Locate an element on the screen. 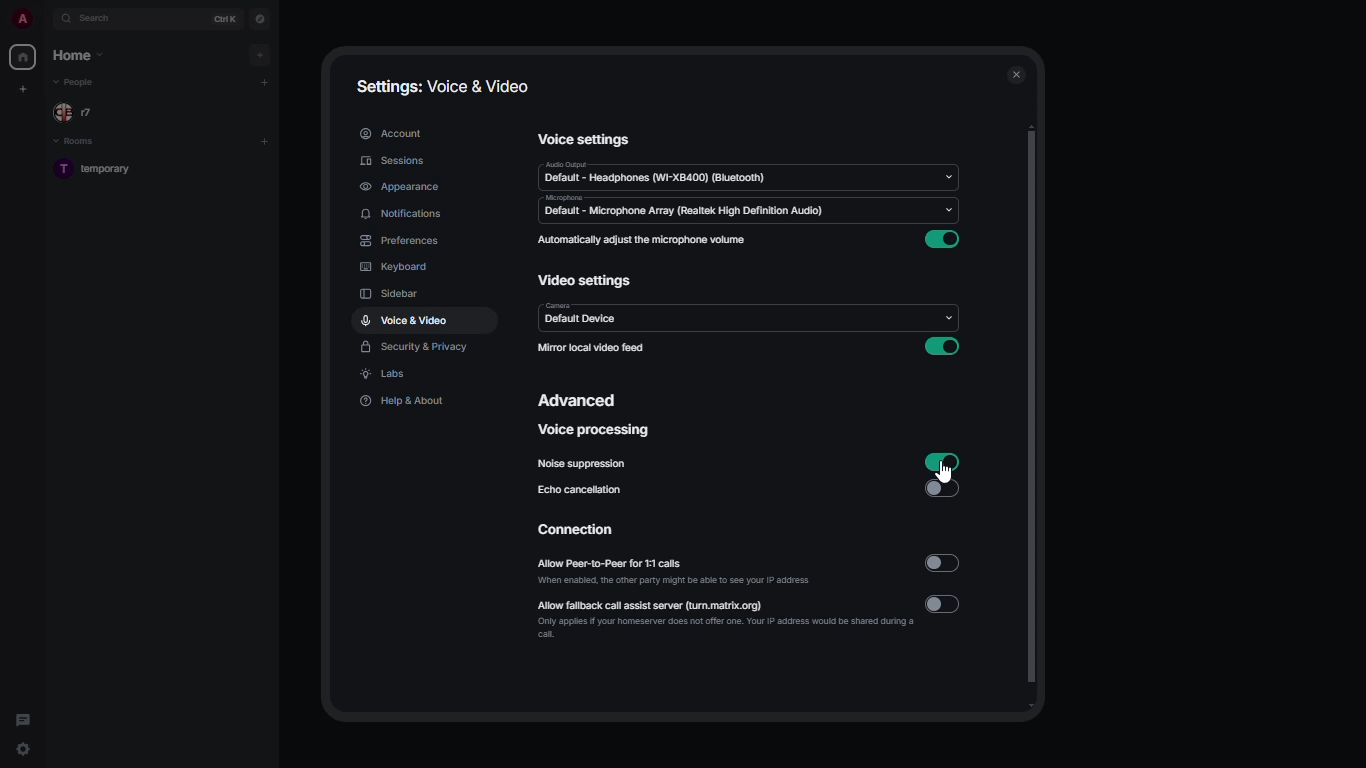 The image size is (1366, 768). quick settings is located at coordinates (21, 751).